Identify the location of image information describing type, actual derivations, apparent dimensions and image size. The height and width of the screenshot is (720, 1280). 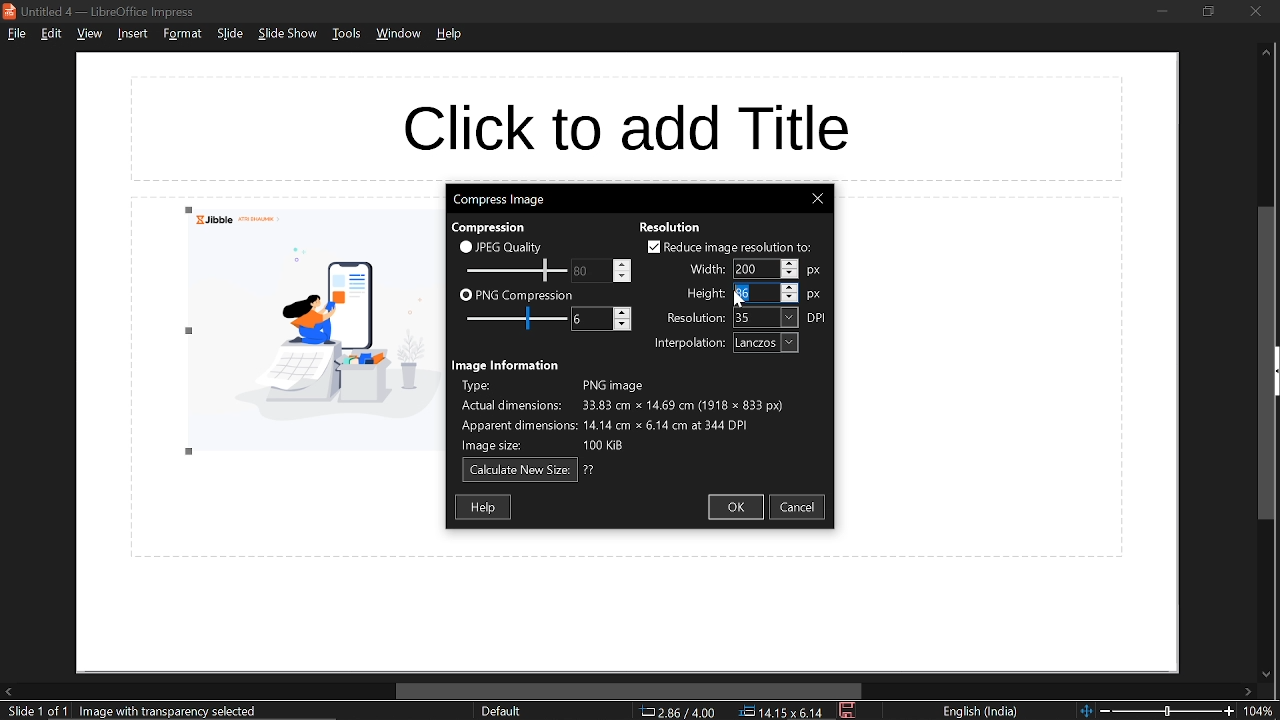
(634, 416).